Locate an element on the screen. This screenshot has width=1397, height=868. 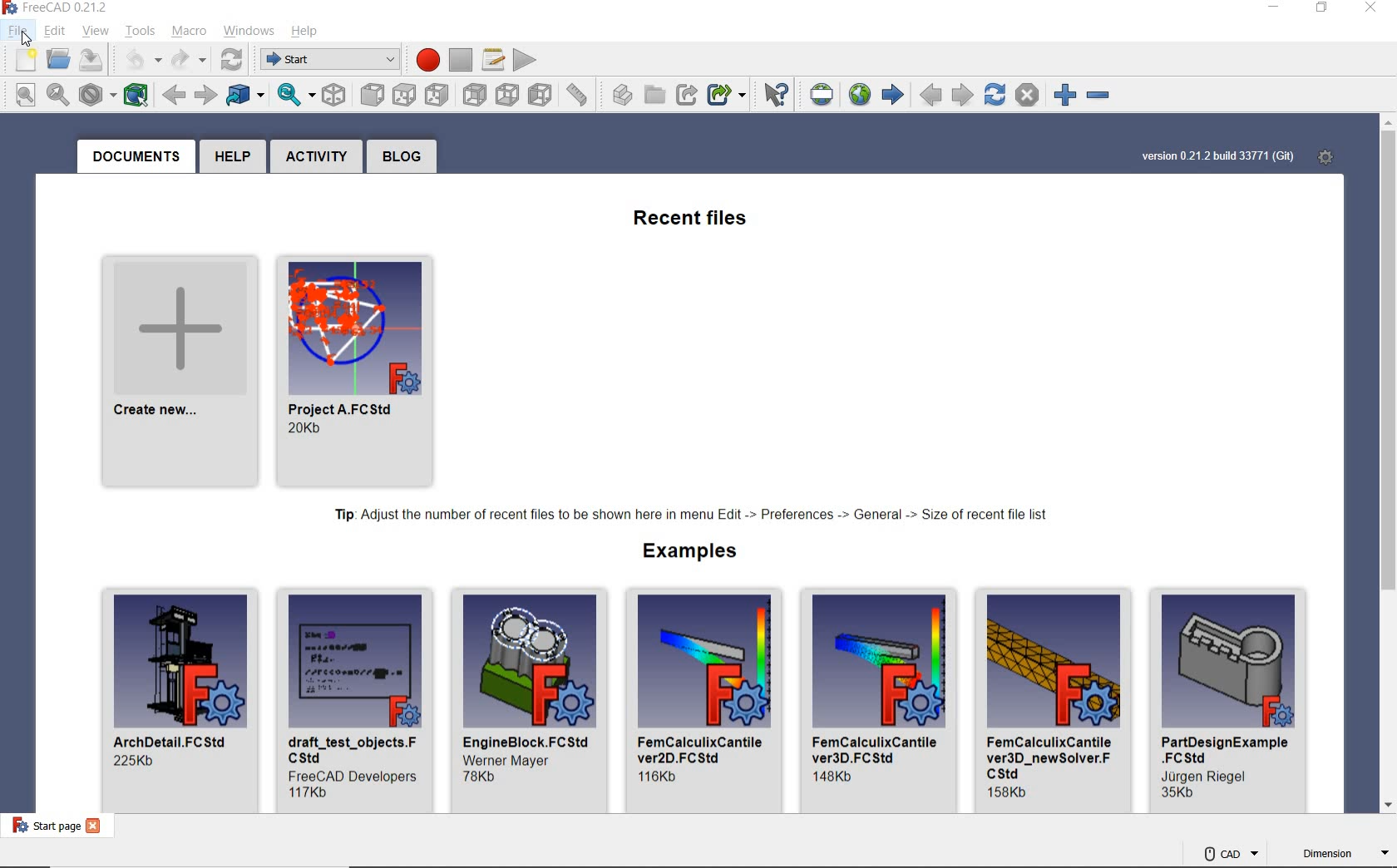
ZOOM OUT is located at coordinates (1101, 96).